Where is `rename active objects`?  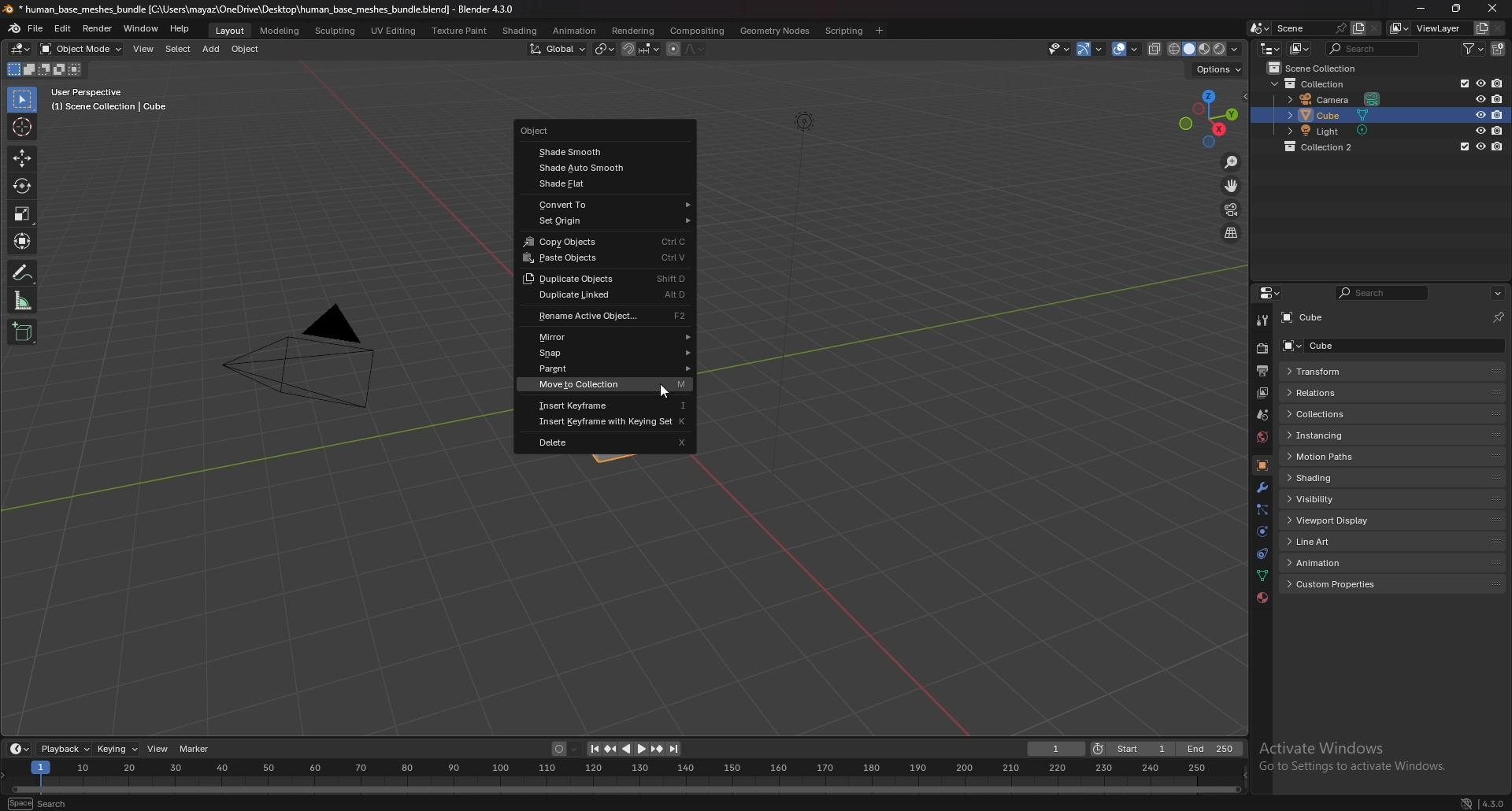 rename active objects is located at coordinates (609, 316).